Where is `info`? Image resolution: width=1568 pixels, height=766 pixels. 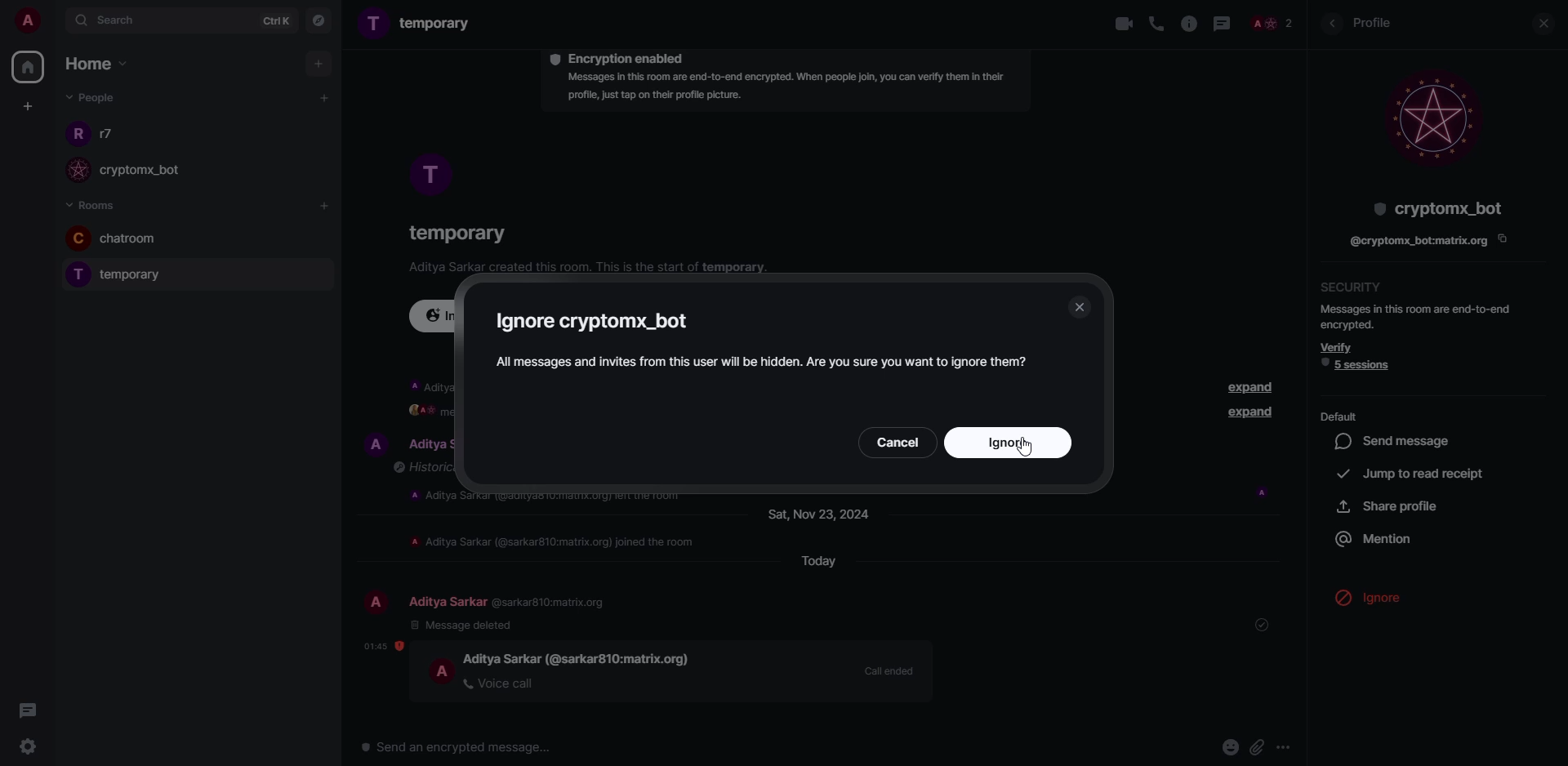 info is located at coordinates (421, 468).